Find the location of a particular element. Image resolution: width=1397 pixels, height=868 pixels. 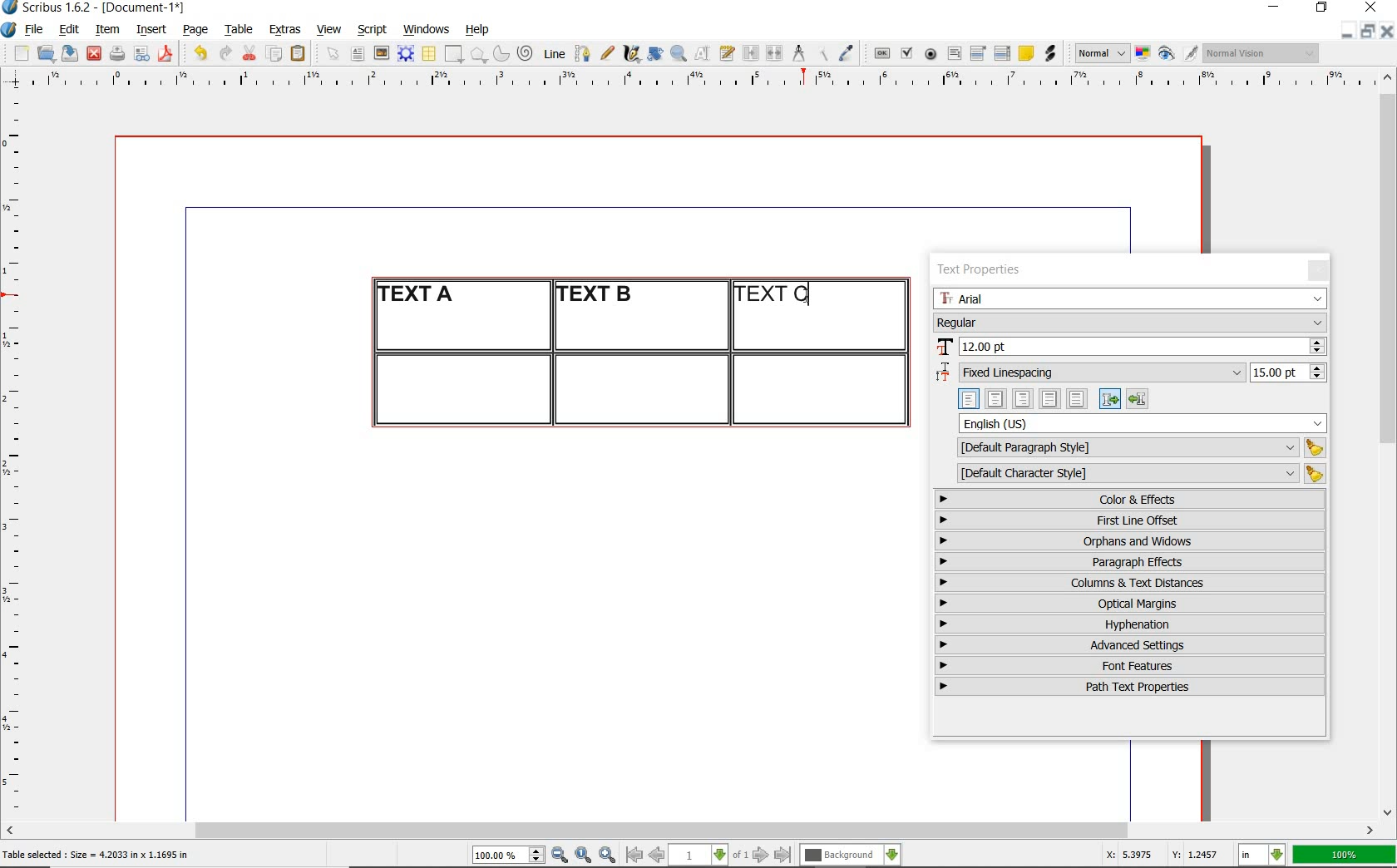

table is located at coordinates (239, 30).